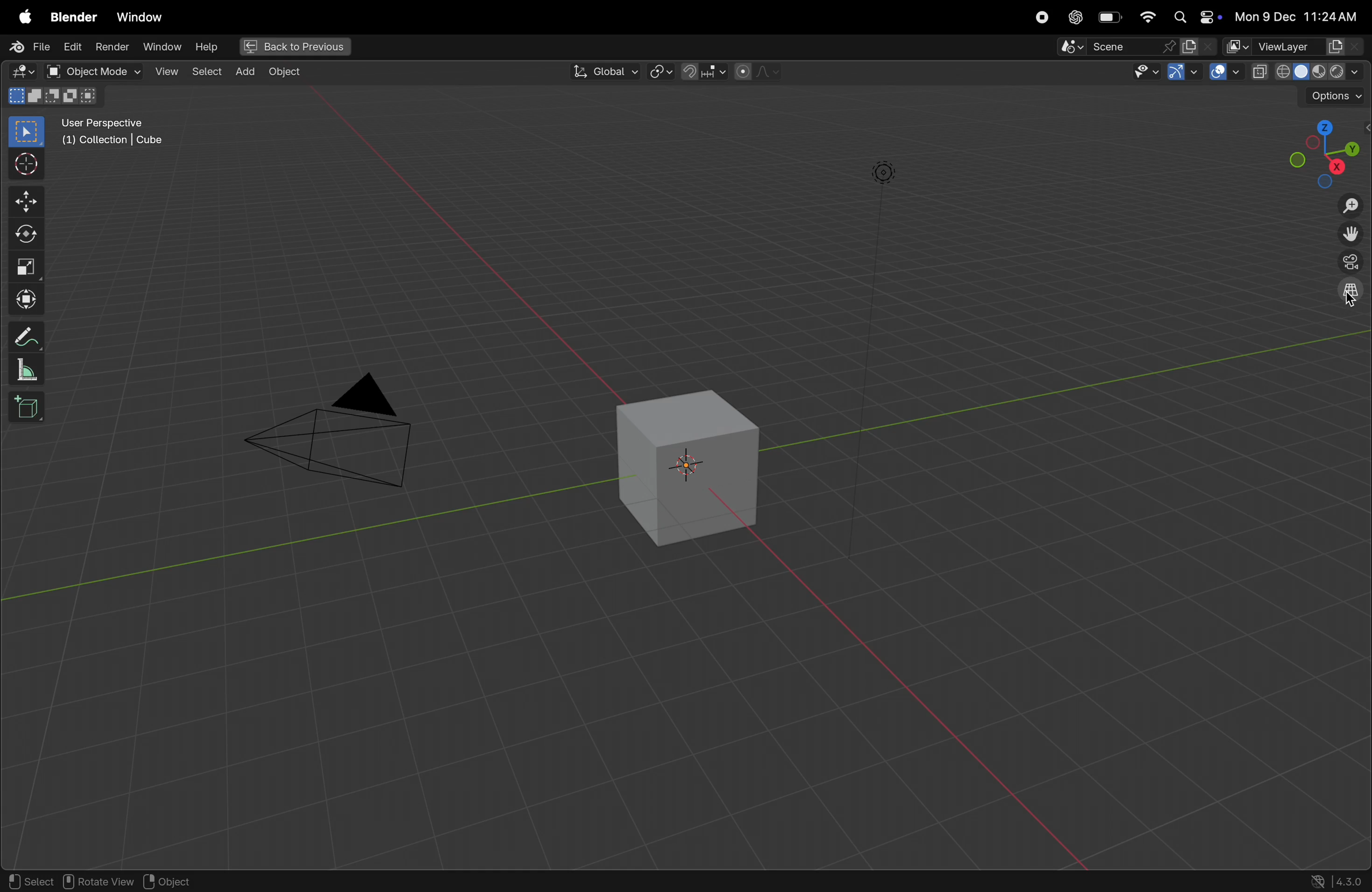 This screenshot has width=1372, height=892. What do you see at coordinates (1117, 47) in the screenshot?
I see `scene` at bounding box center [1117, 47].